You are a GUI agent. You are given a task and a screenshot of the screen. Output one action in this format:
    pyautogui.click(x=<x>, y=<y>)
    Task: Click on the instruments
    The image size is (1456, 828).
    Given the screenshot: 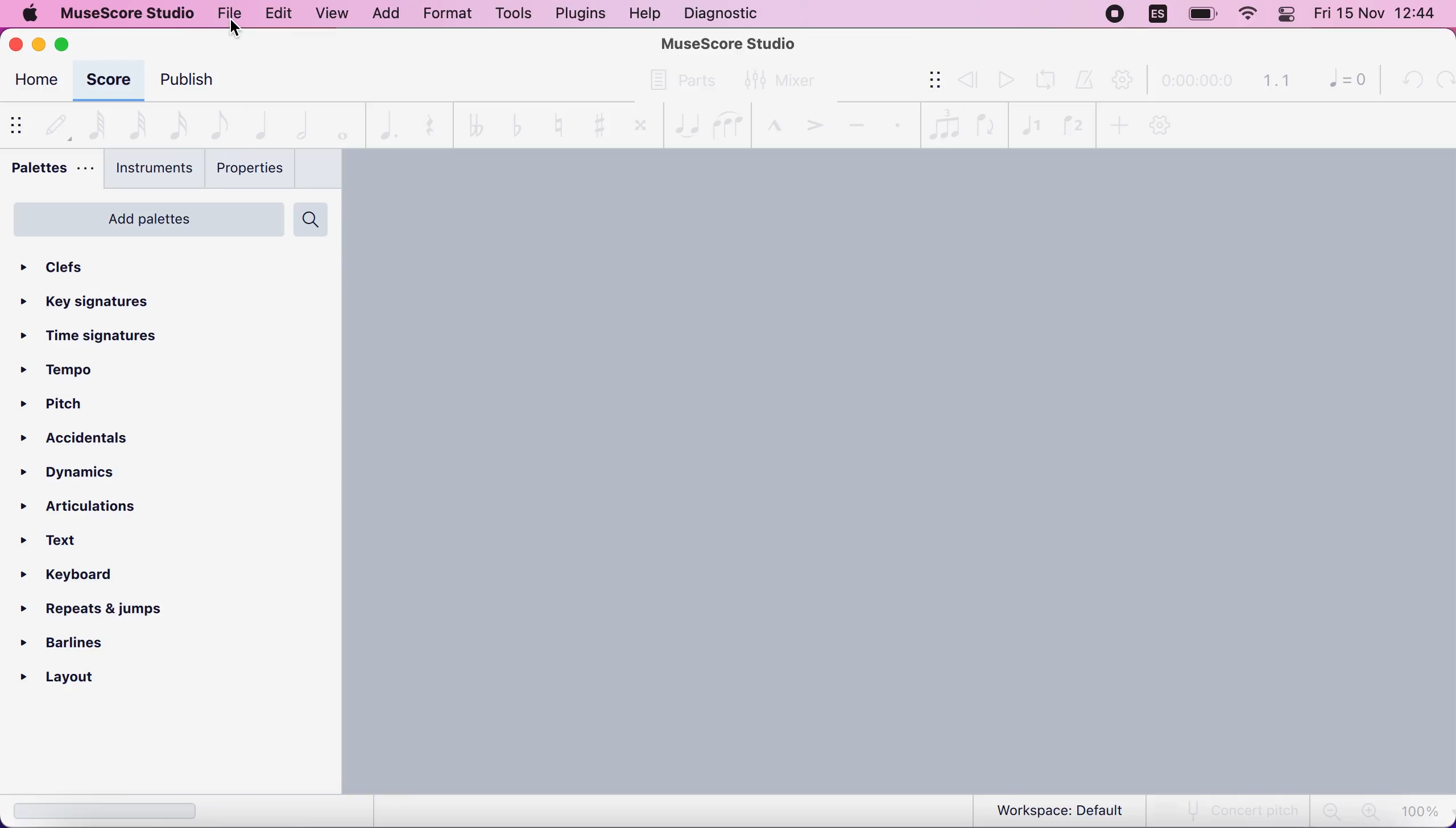 What is the action you would take?
    pyautogui.click(x=149, y=171)
    